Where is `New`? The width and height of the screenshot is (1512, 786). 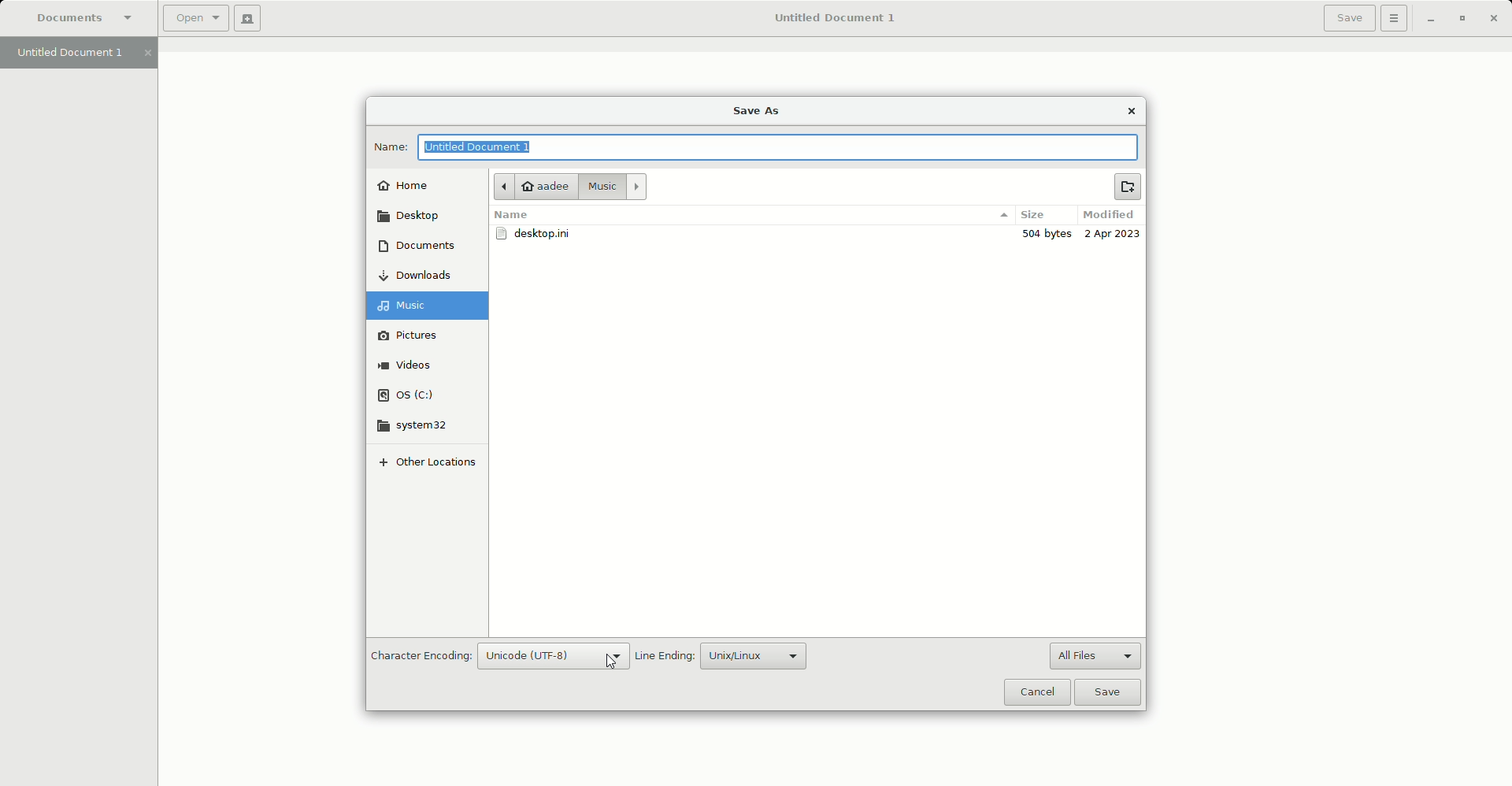 New is located at coordinates (1127, 187).